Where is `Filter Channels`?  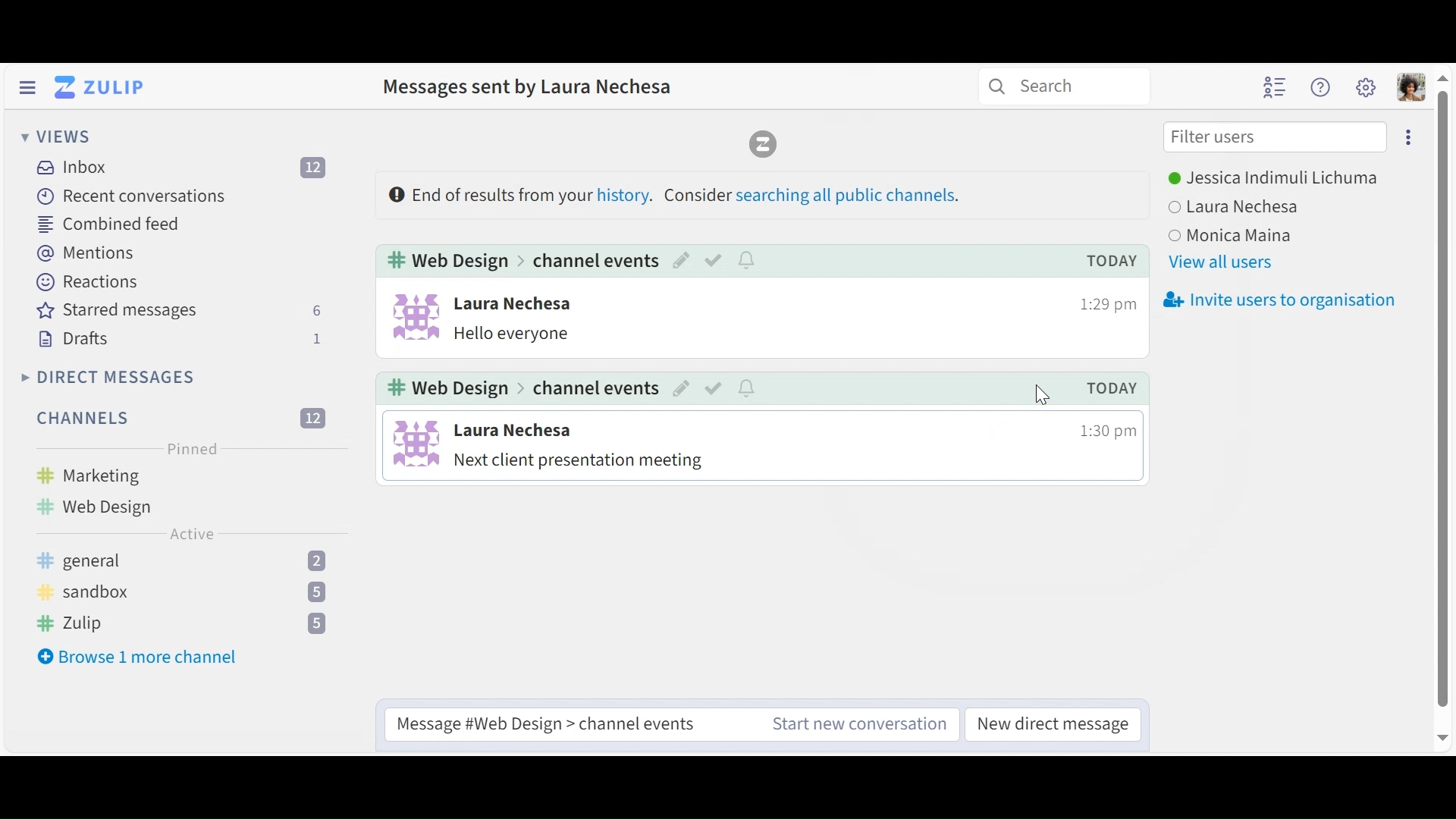 Filter Channels is located at coordinates (180, 419).